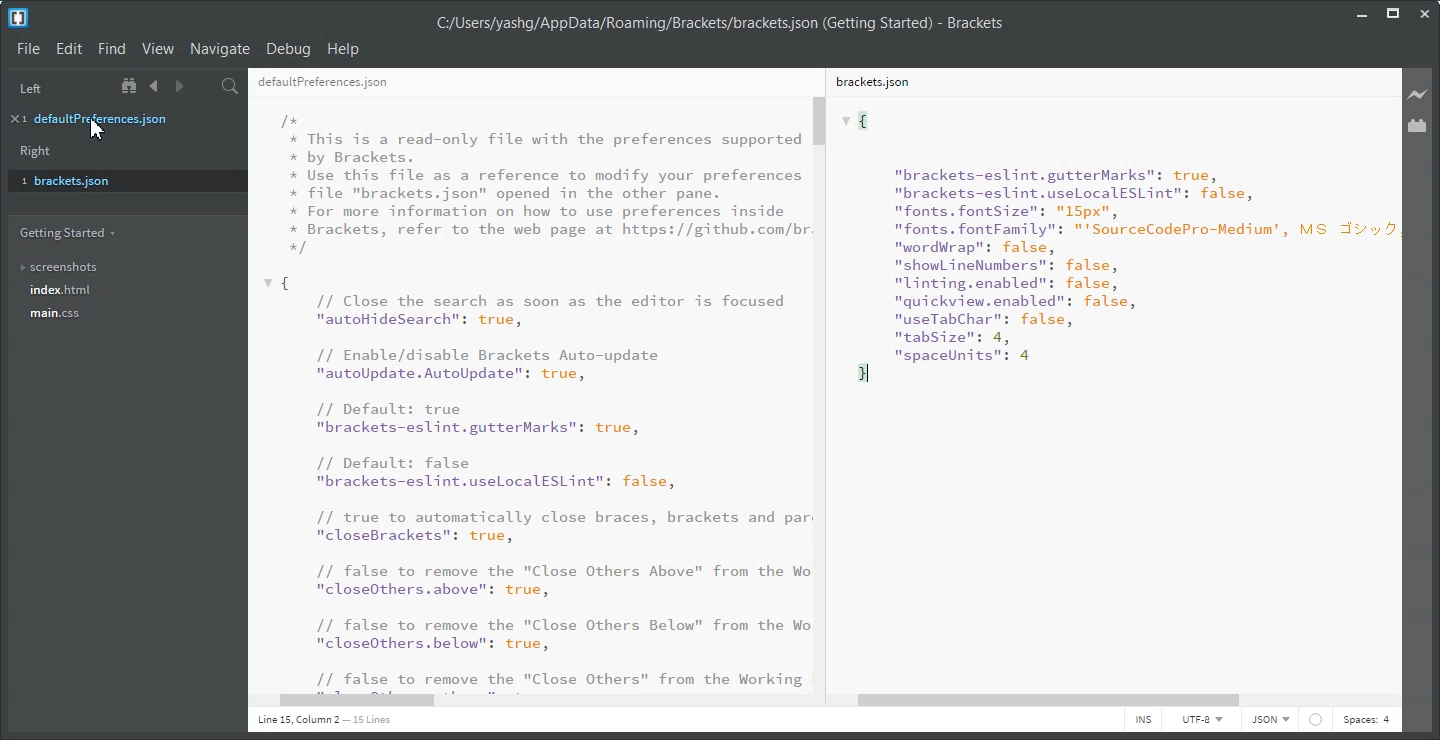 The image size is (1440, 740). Describe the element at coordinates (230, 86) in the screenshot. I see `Find in Files` at that location.